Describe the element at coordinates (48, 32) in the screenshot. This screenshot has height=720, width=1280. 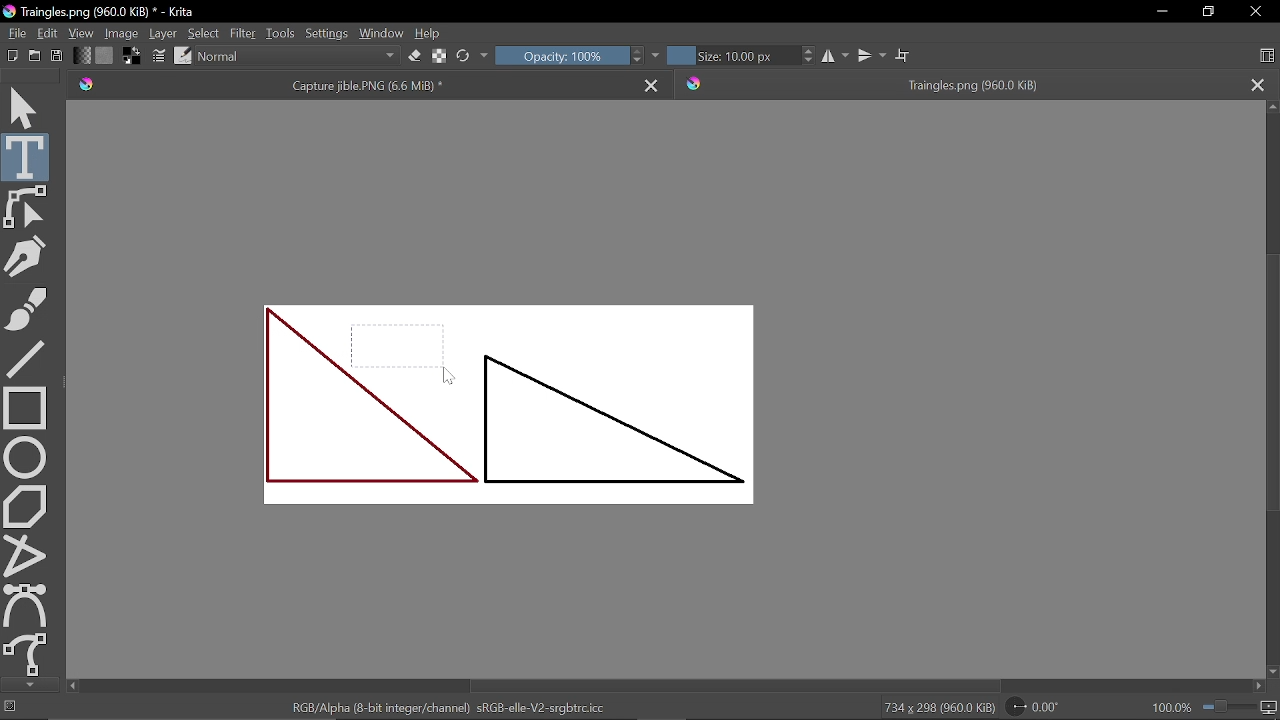
I see `Edit` at that location.